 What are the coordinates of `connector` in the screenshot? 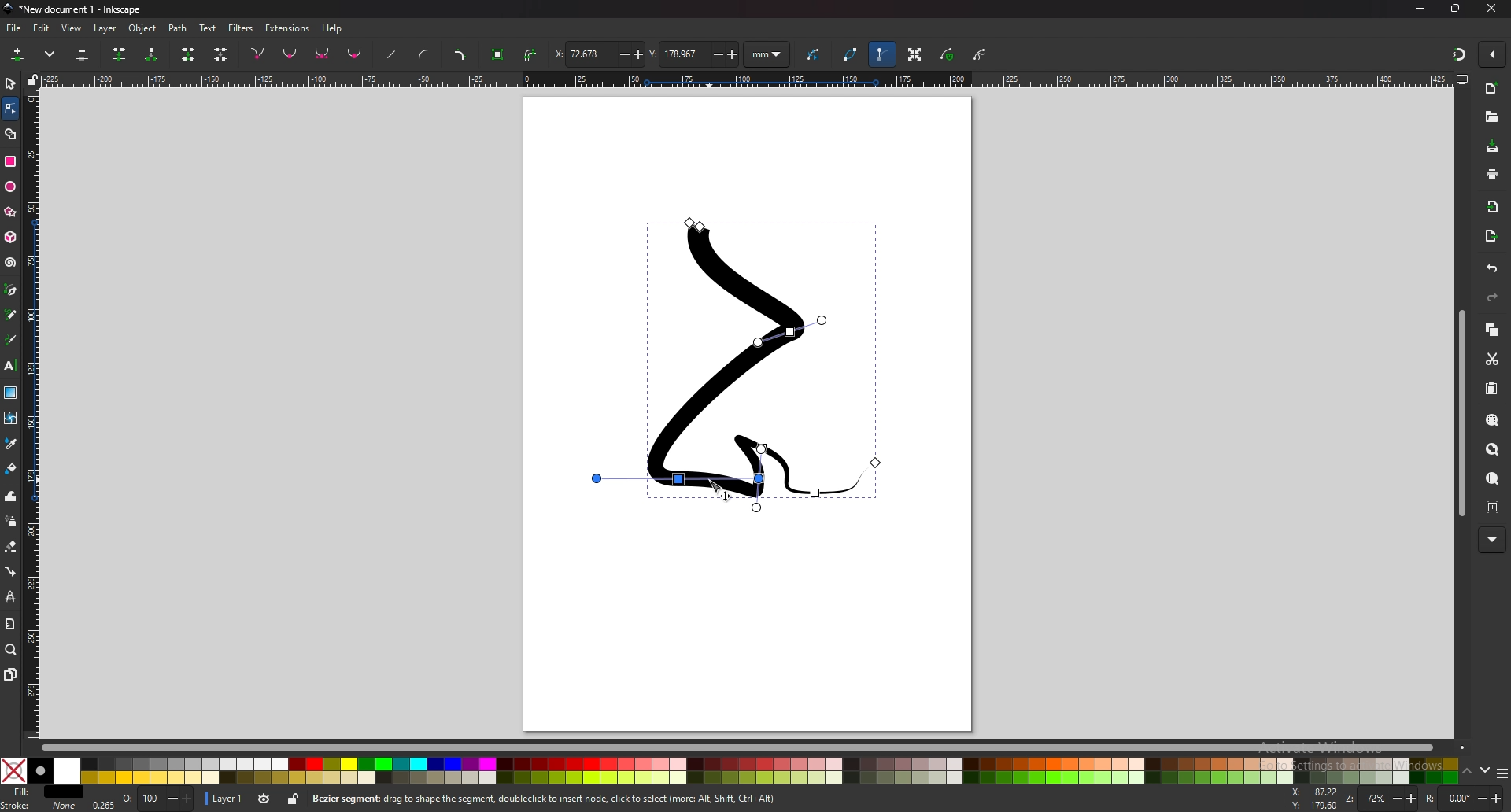 It's located at (10, 572).